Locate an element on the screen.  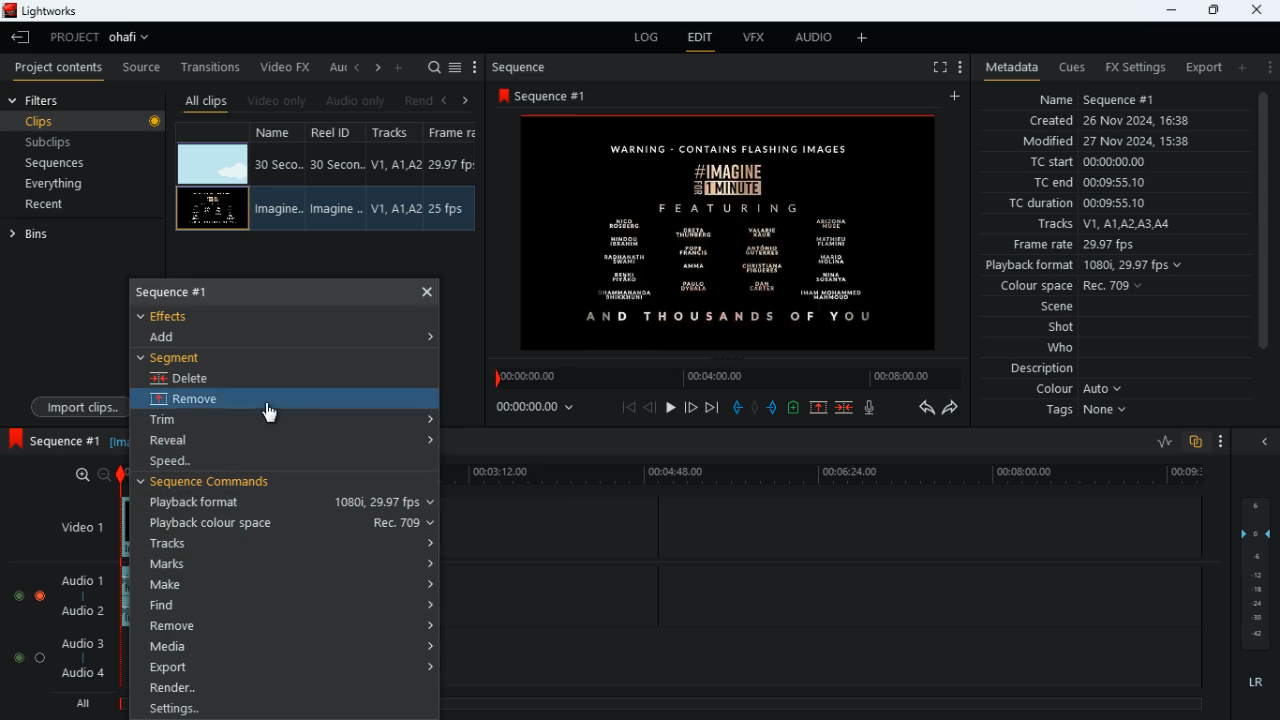
tc start is located at coordinates (1091, 162).